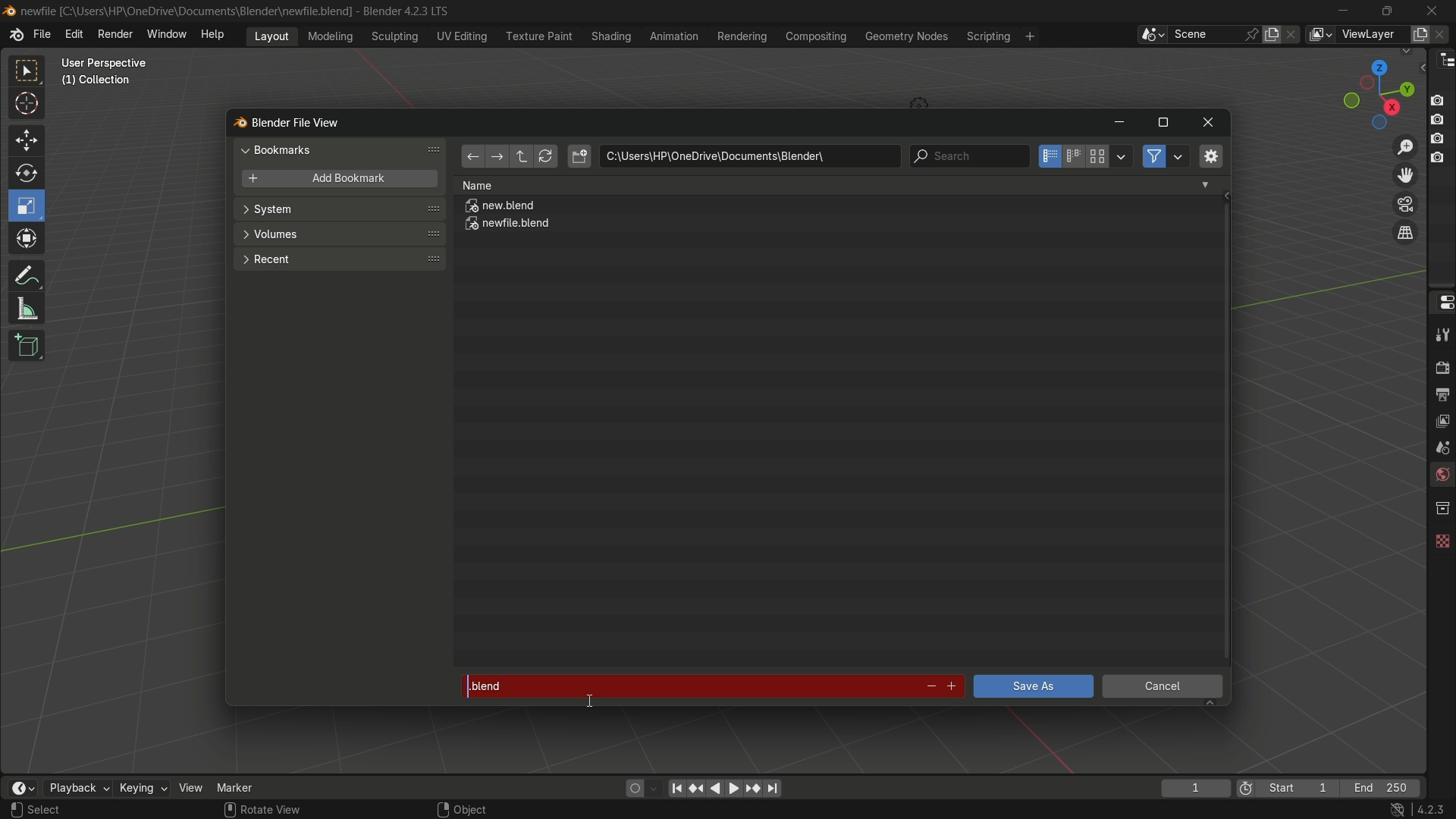  I want to click on window menu, so click(168, 36).